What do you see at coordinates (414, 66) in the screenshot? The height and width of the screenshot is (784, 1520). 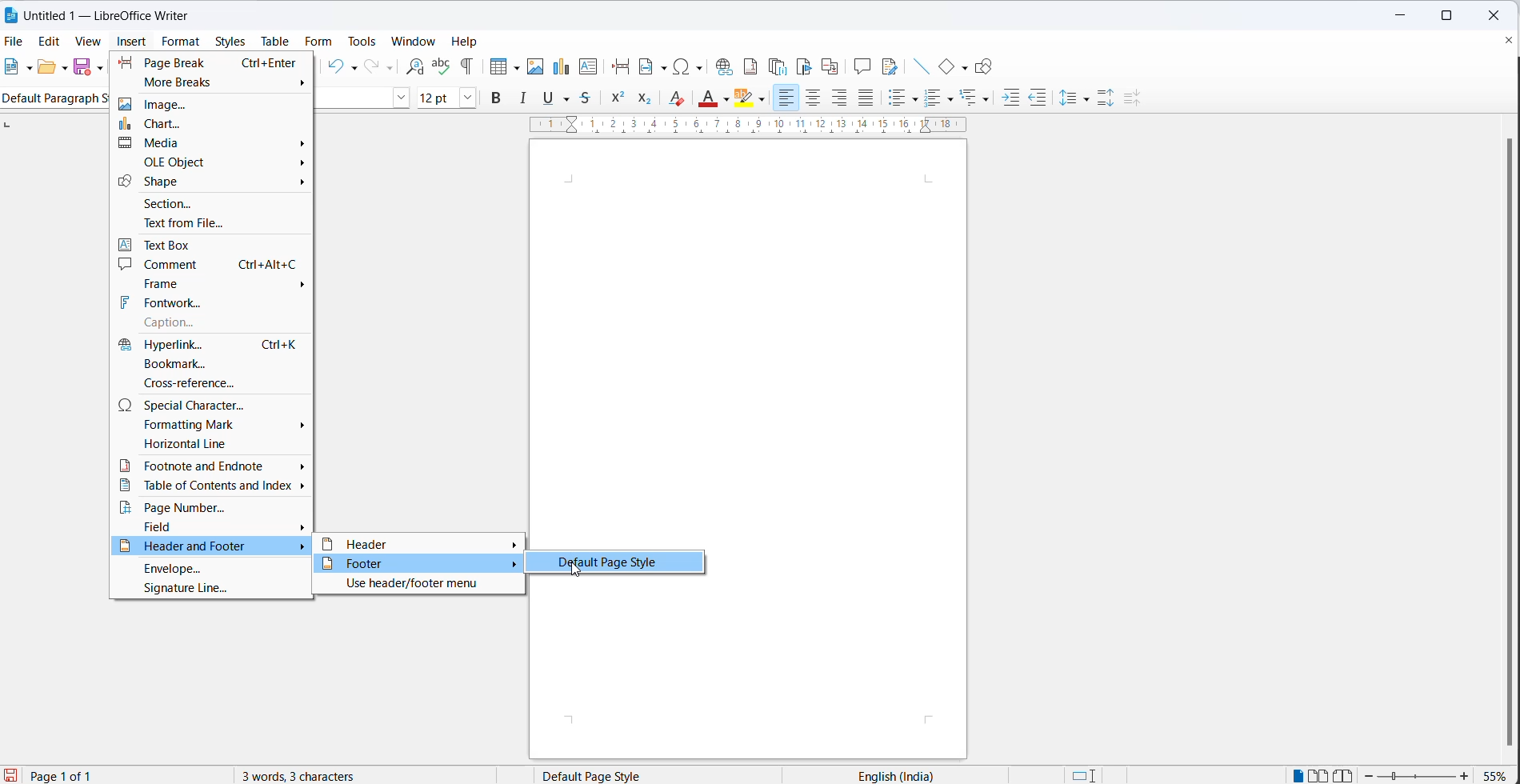 I see `find and replace` at bounding box center [414, 66].